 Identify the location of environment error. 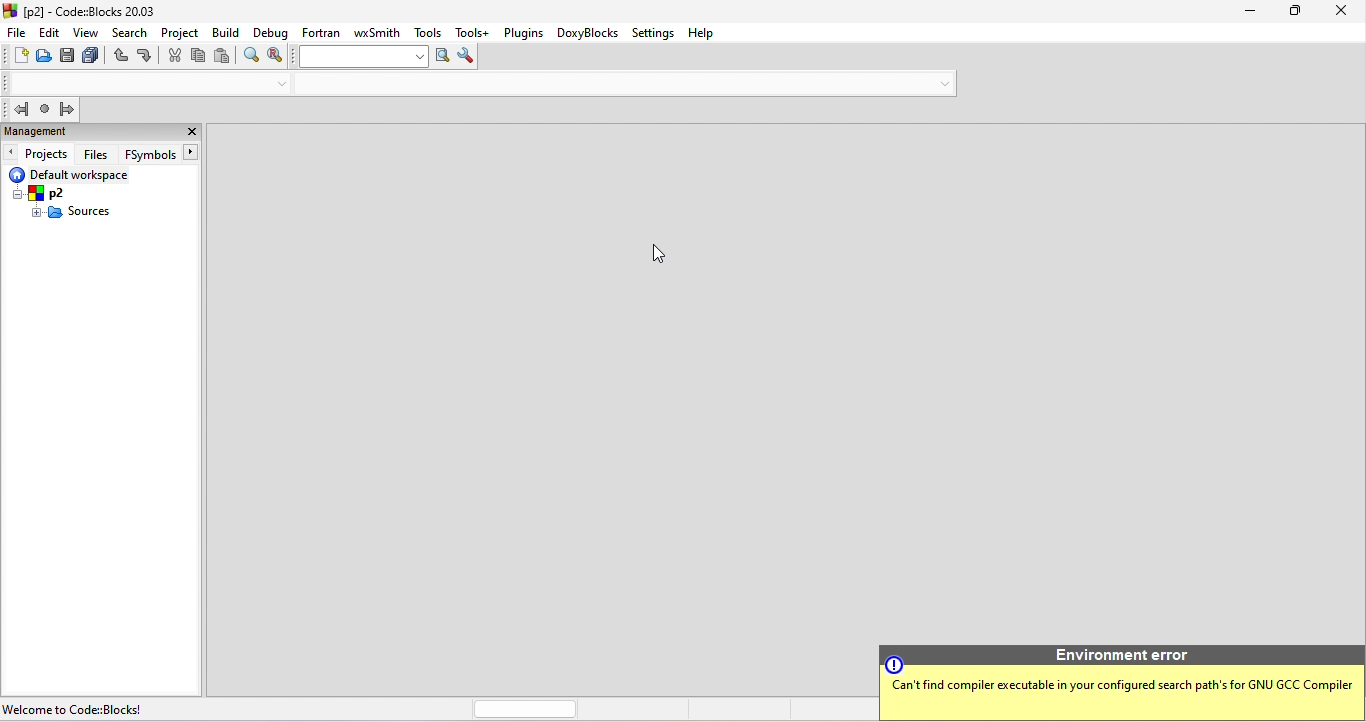
(1119, 683).